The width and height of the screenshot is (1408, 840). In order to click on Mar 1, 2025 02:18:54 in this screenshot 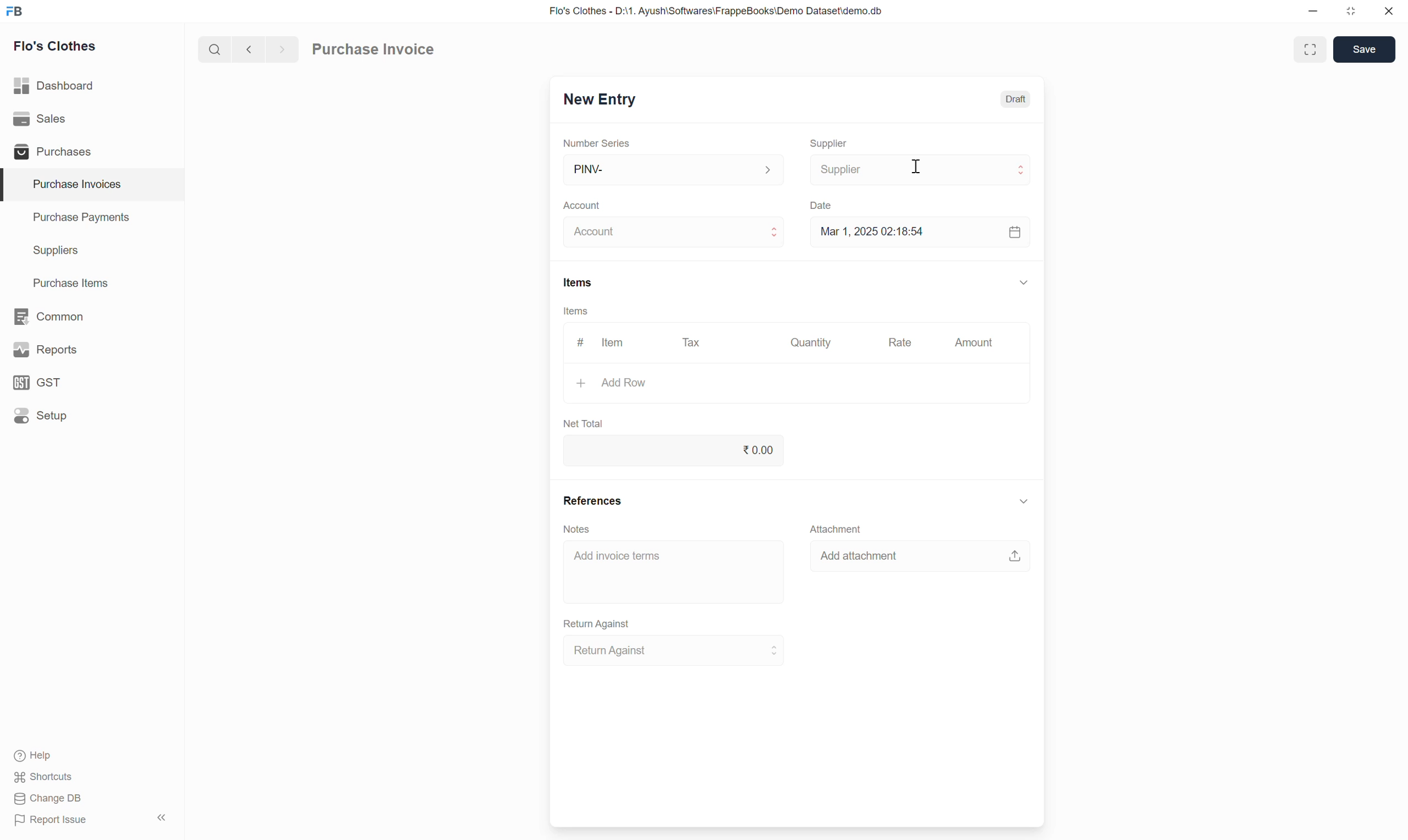, I will do `click(921, 232)`.